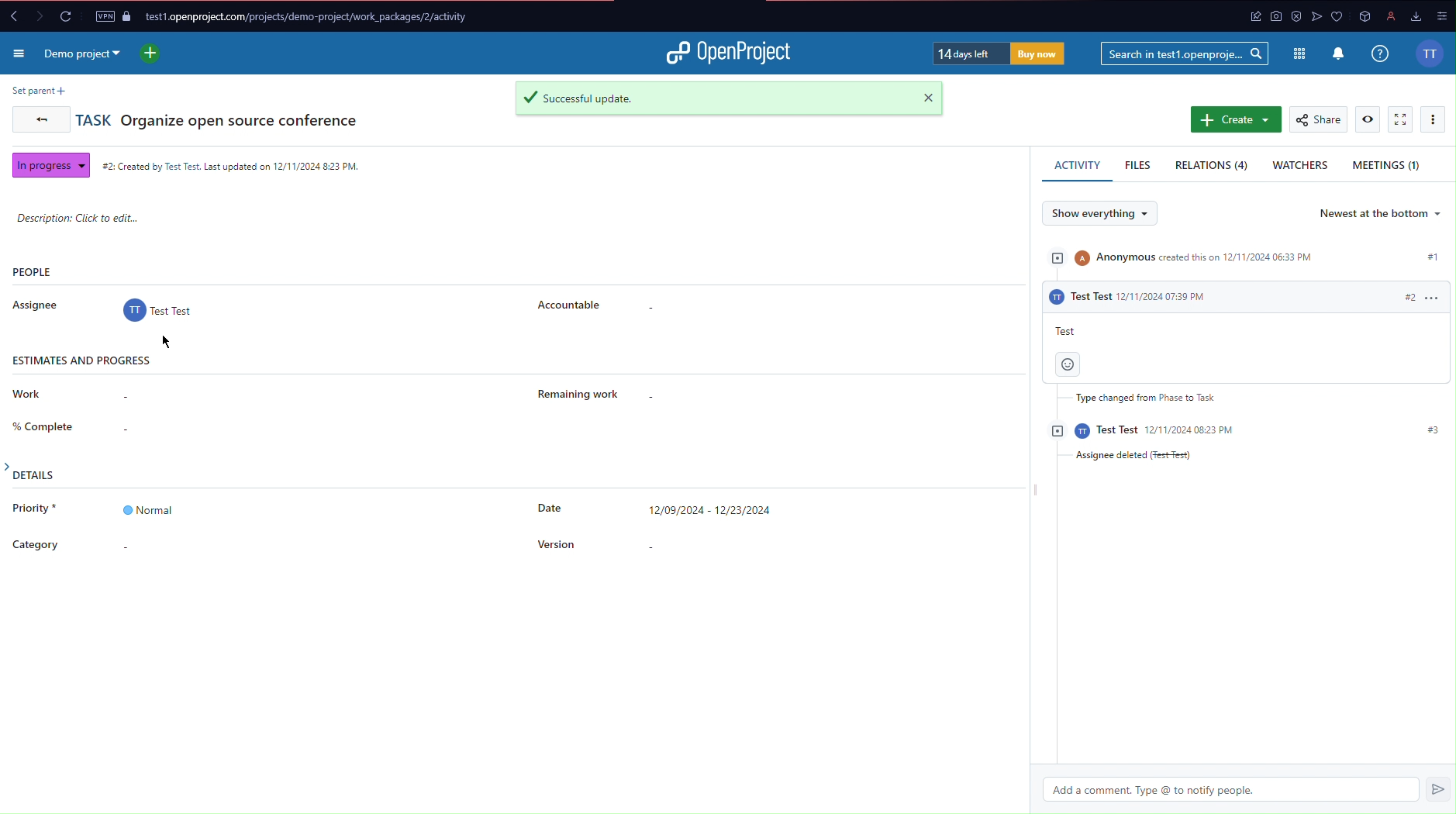 This screenshot has width=1456, height=814. I want to click on Activity , so click(1074, 165).